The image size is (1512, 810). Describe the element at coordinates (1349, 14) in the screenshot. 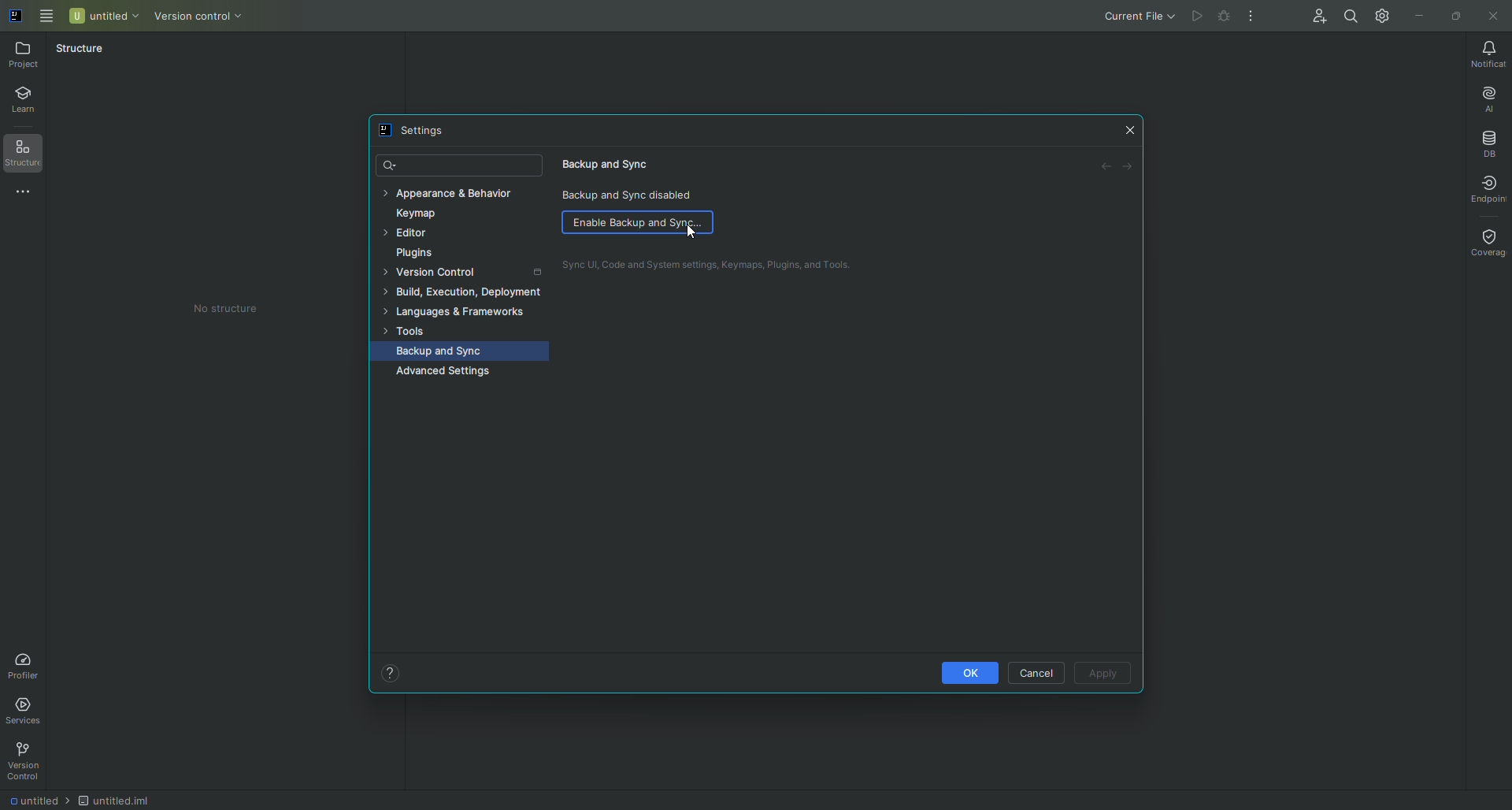

I see `Search` at that location.